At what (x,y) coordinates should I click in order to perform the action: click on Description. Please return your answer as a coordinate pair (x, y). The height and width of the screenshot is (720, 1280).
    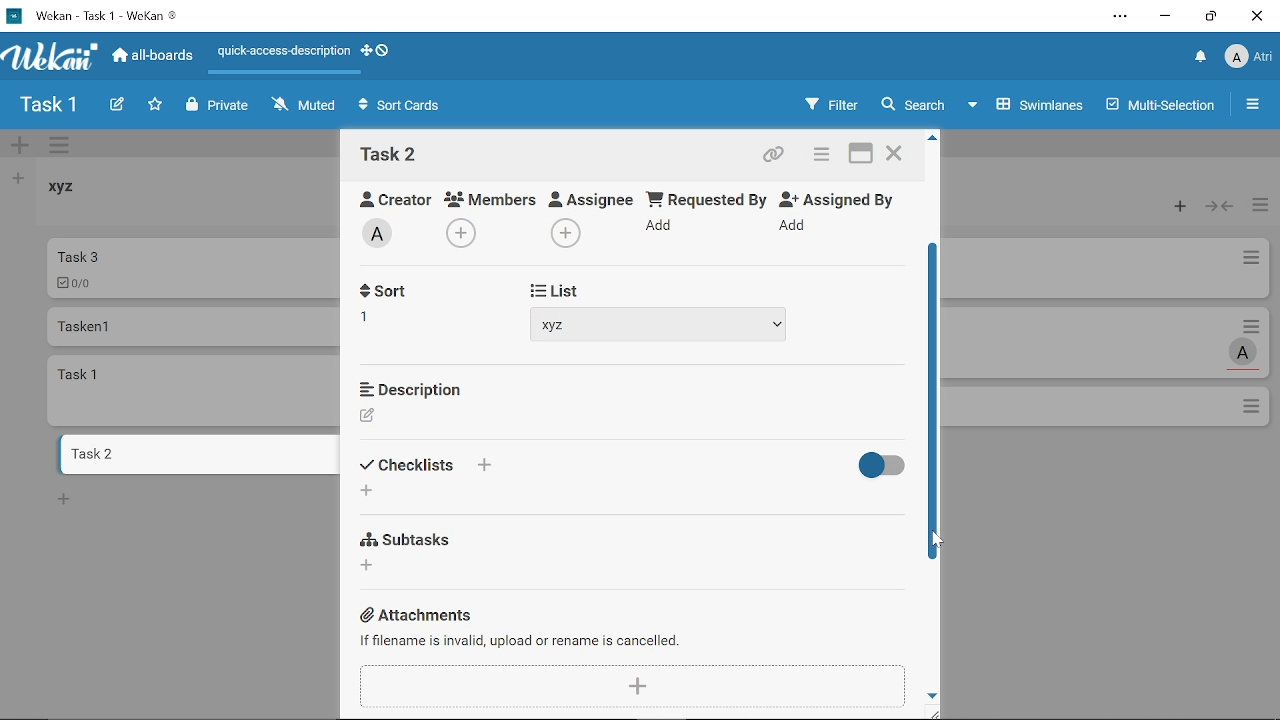
    Looking at the image, I should click on (410, 387).